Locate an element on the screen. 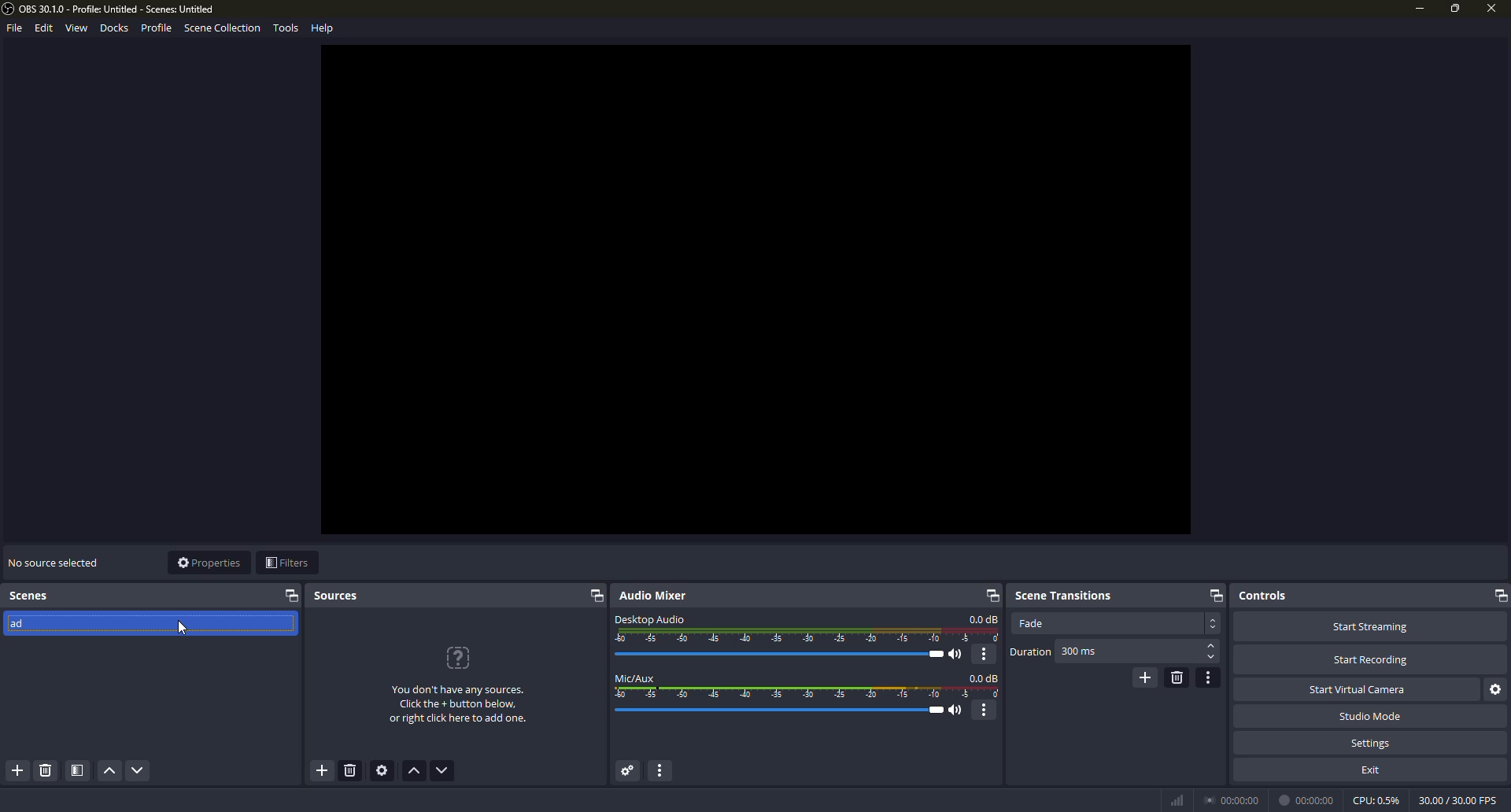 The height and width of the screenshot is (812, 1511). exit is located at coordinates (1372, 769).